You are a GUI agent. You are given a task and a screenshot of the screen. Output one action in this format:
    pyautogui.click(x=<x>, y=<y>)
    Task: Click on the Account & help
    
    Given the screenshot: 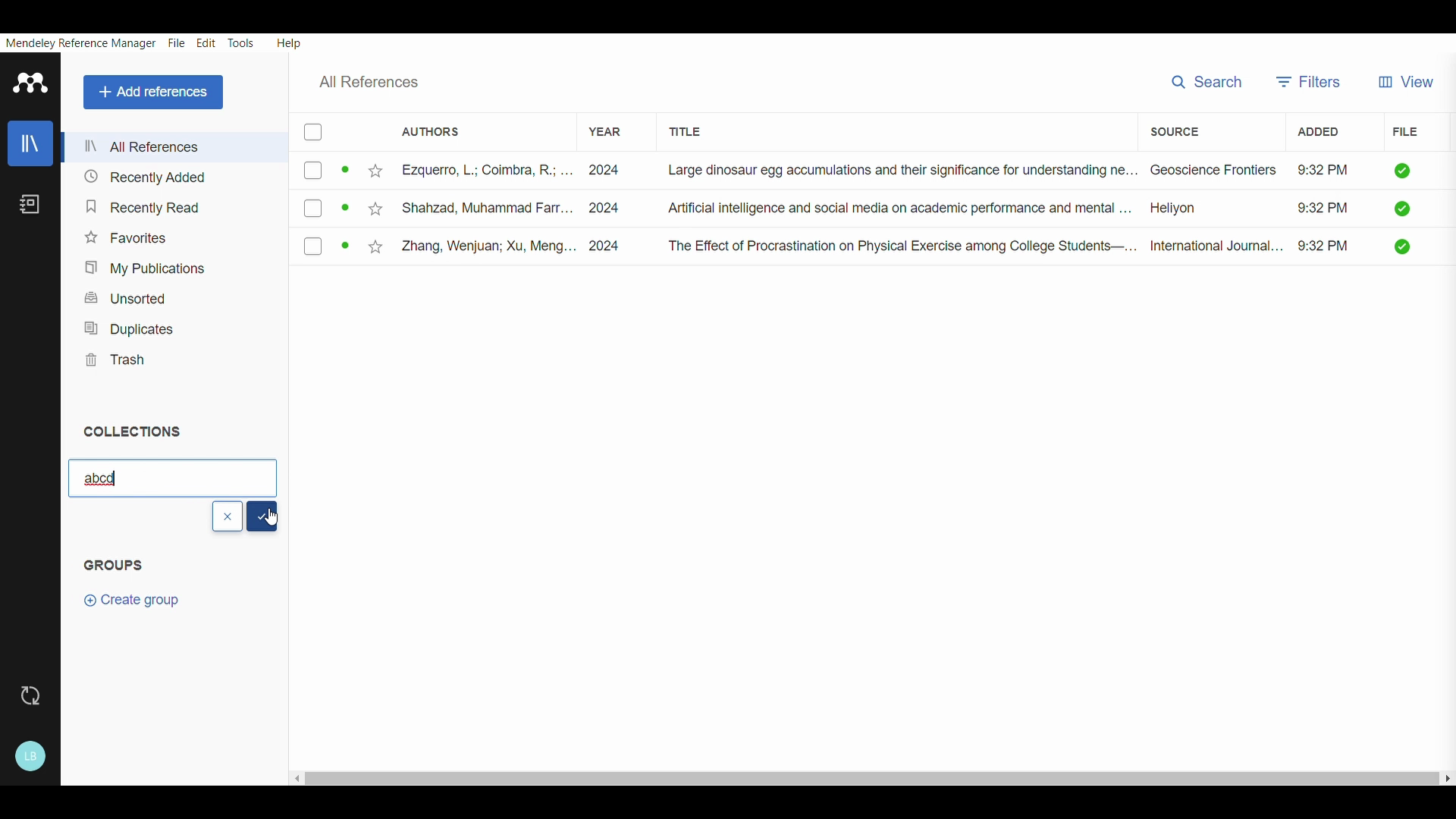 What is the action you would take?
    pyautogui.click(x=32, y=754)
    